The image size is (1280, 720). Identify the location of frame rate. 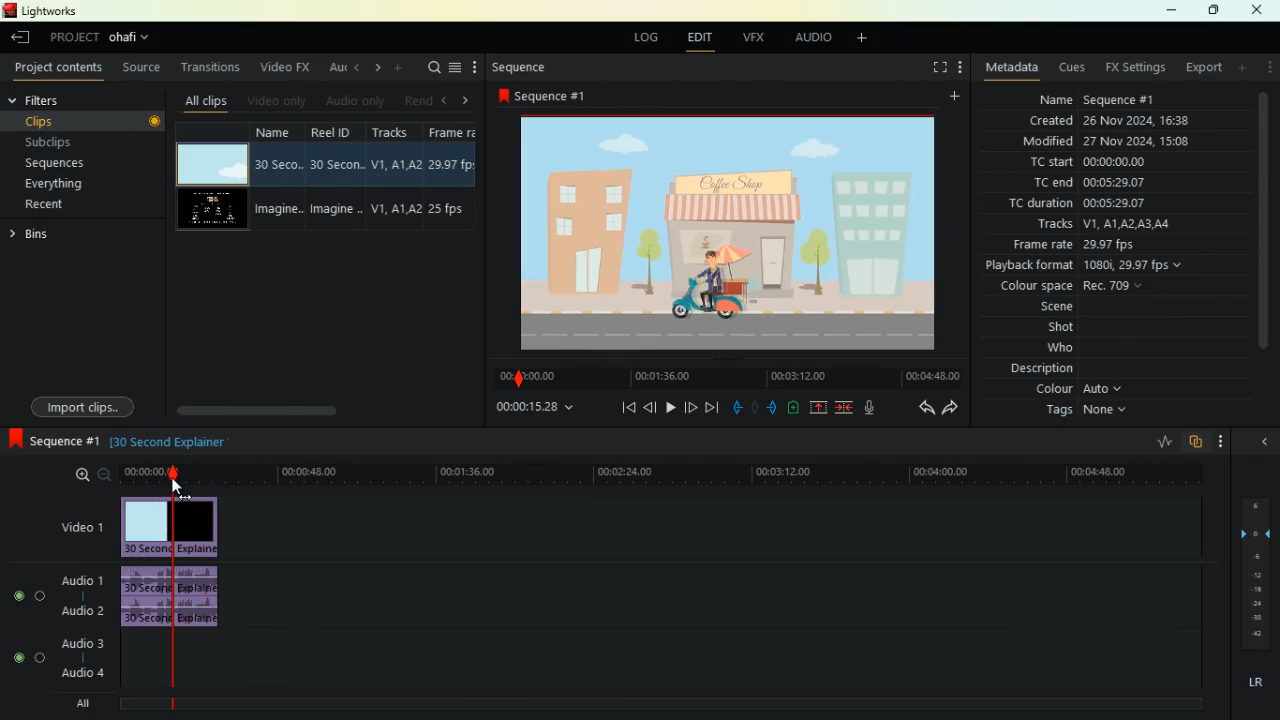
(1038, 245).